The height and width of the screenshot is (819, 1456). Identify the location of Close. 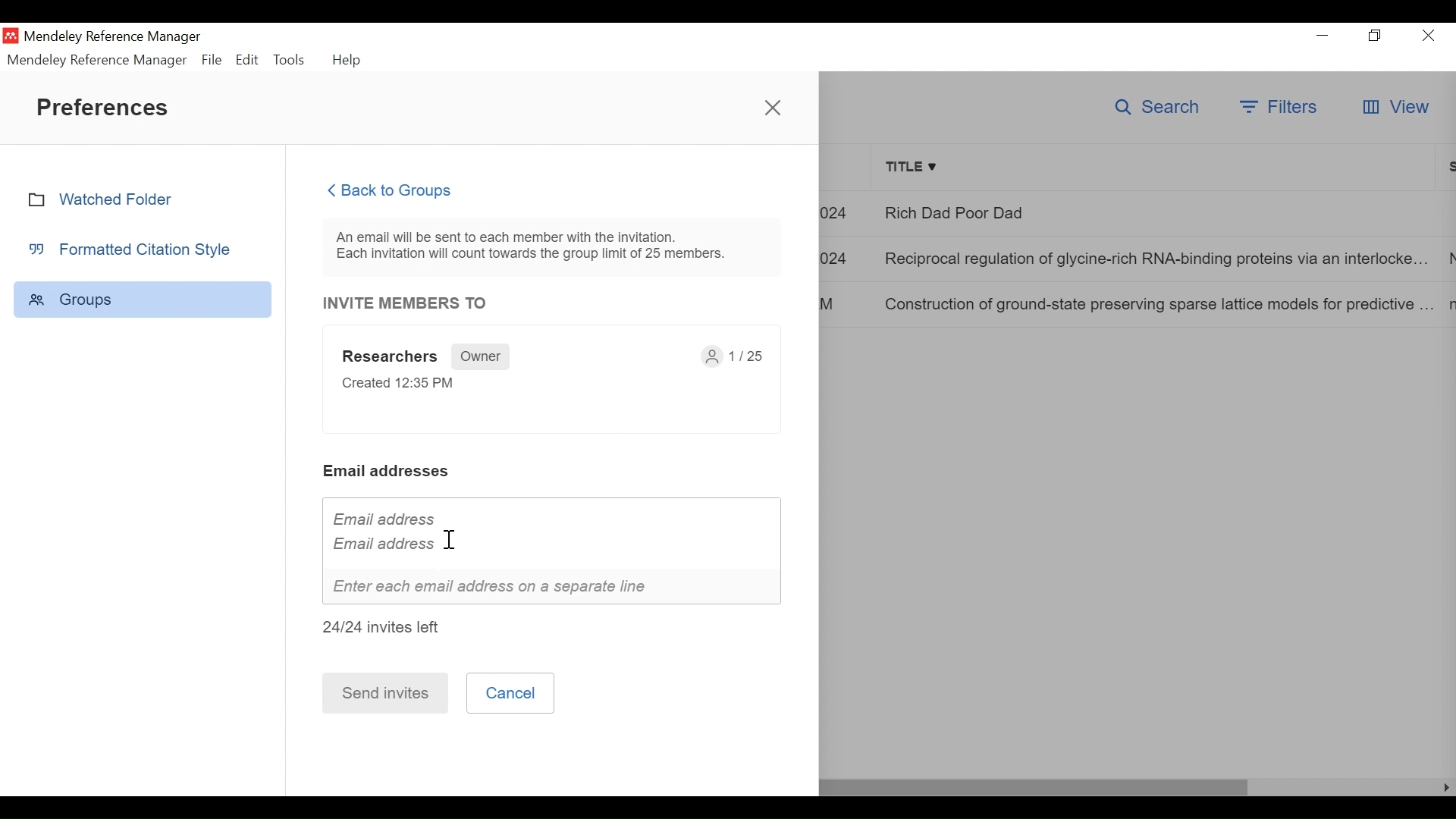
(1429, 35).